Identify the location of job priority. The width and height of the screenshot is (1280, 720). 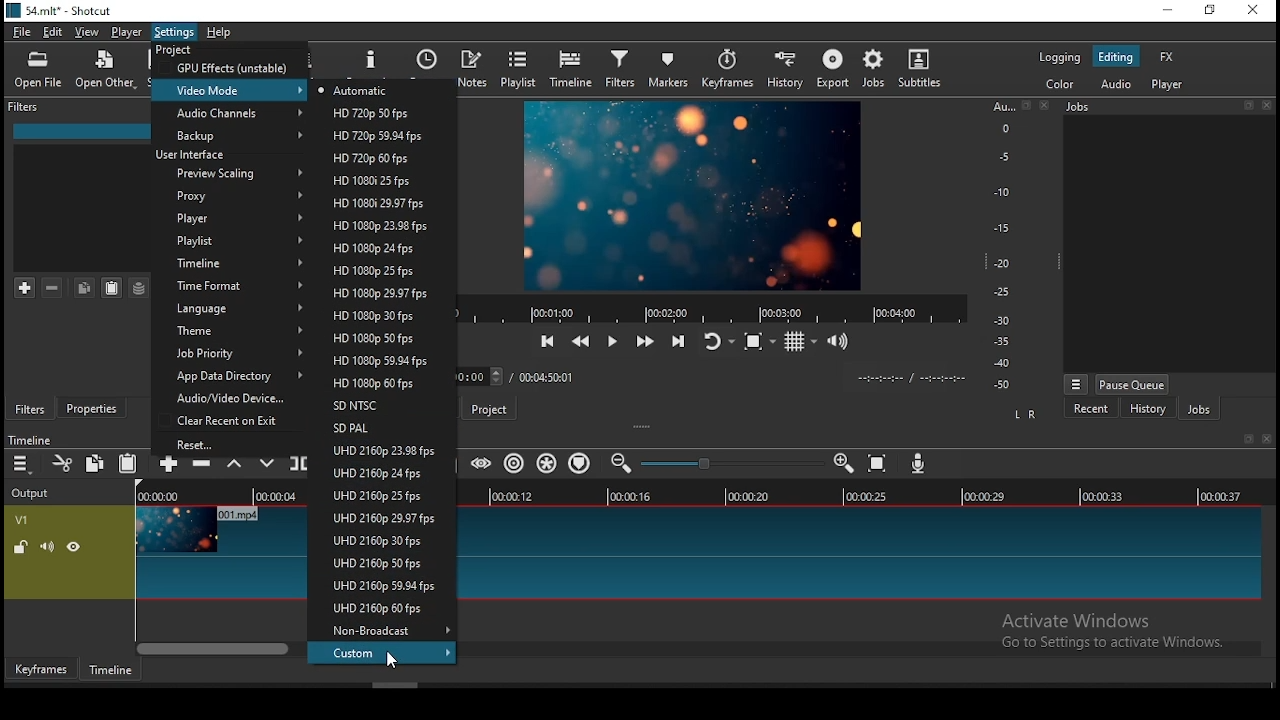
(225, 354).